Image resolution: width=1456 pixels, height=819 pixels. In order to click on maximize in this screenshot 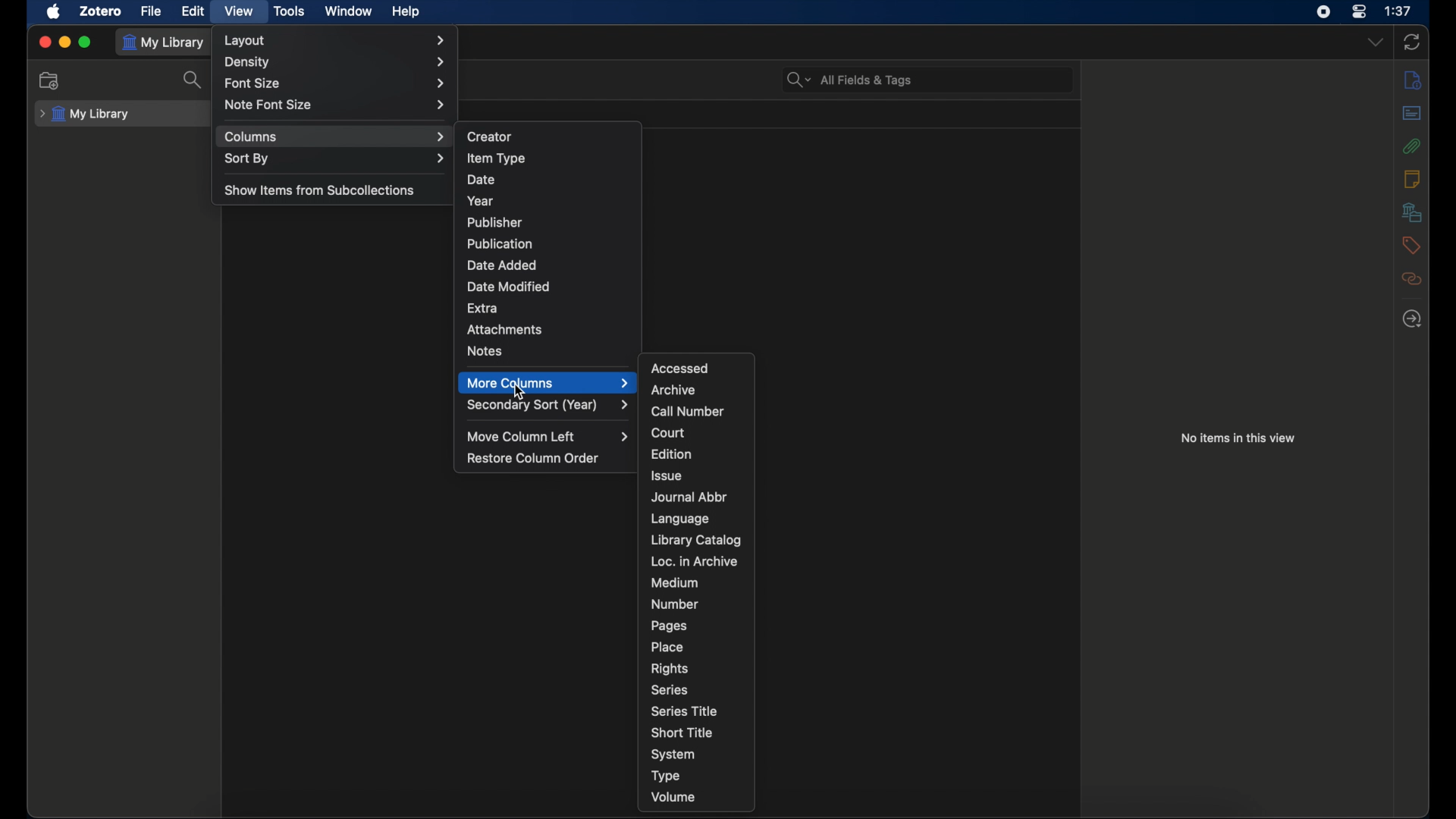, I will do `click(86, 42)`.